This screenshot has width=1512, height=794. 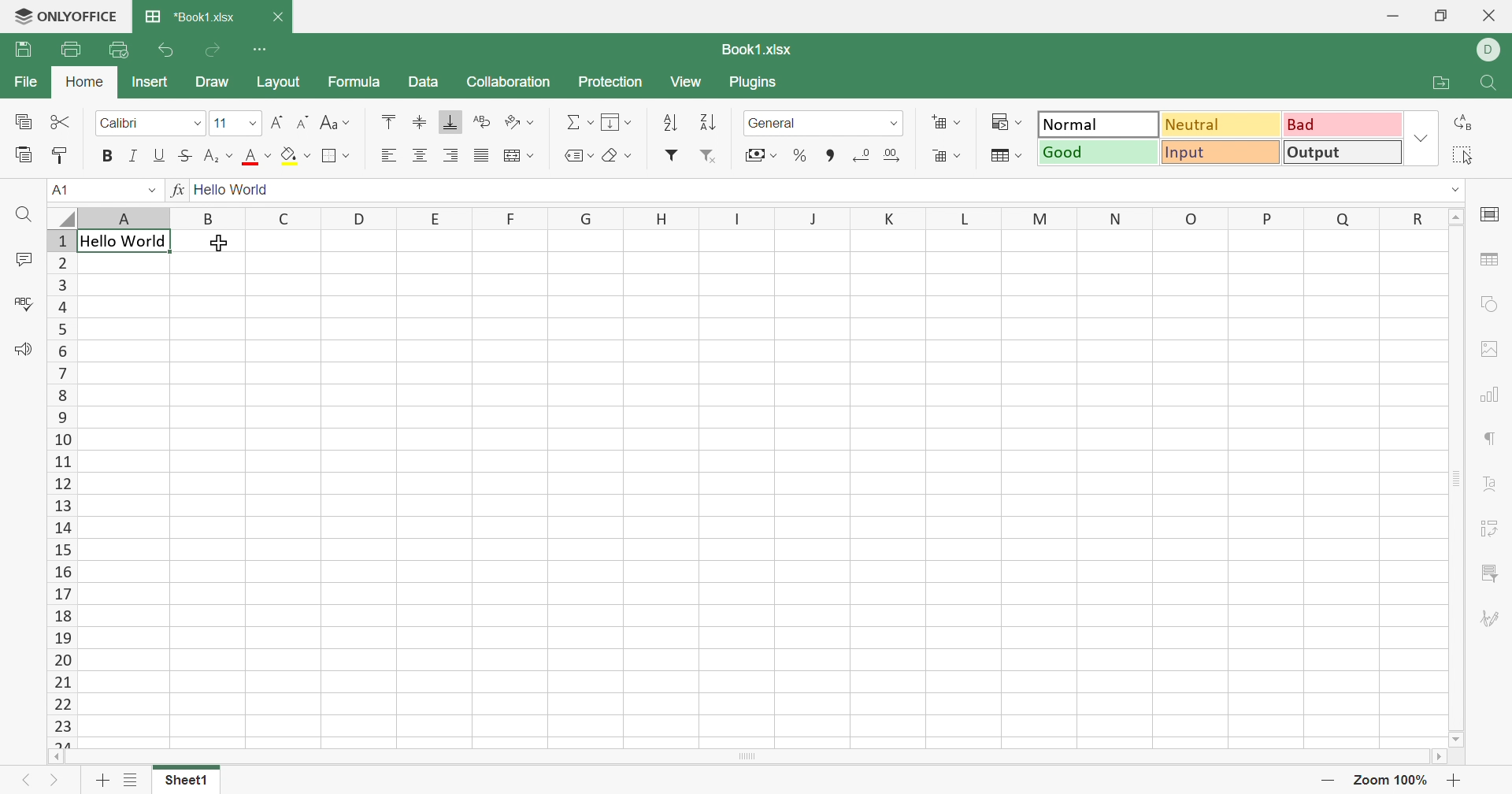 What do you see at coordinates (1487, 618) in the screenshot?
I see `Signature settings` at bounding box center [1487, 618].